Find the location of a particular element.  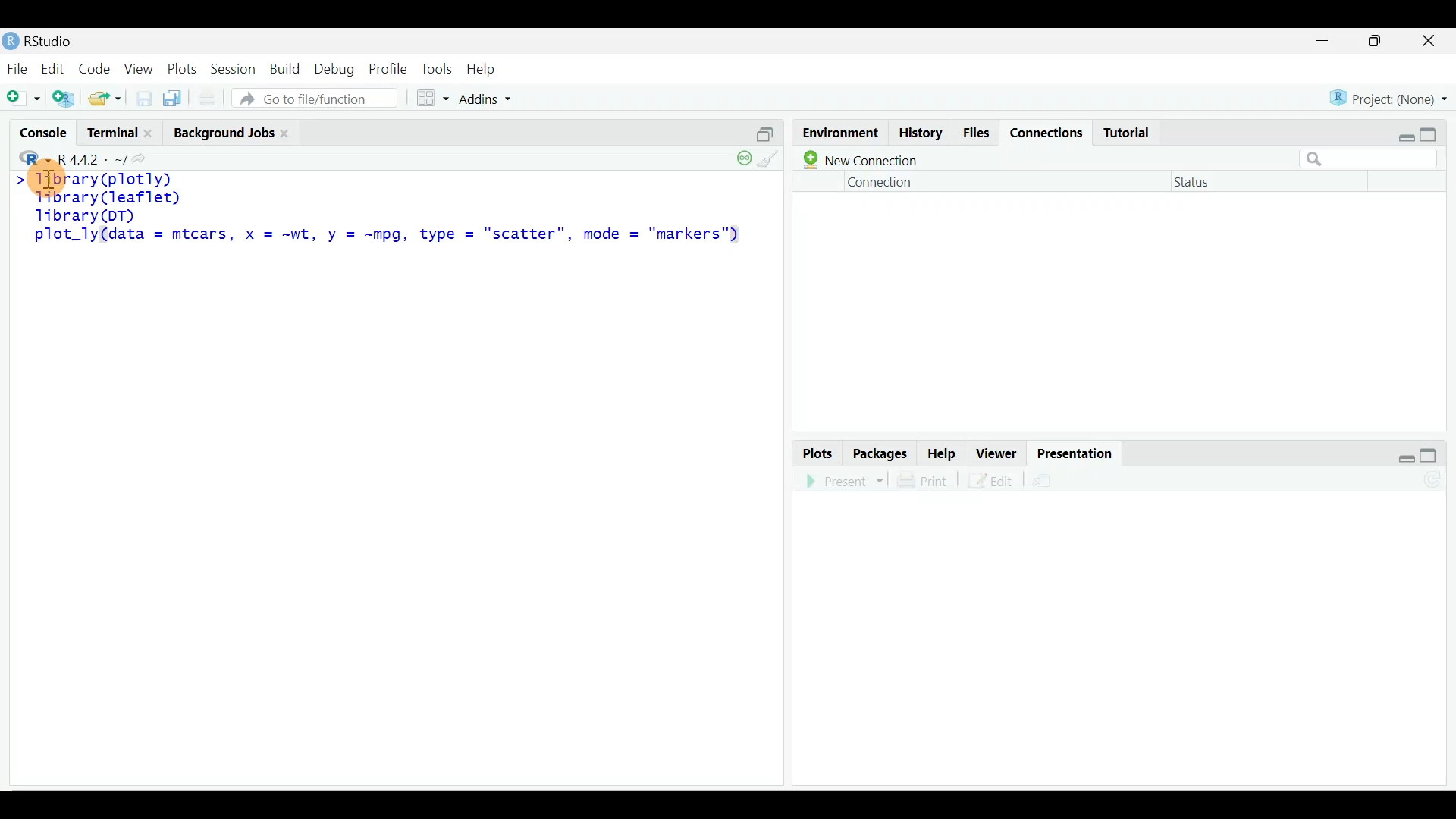

Print current file is located at coordinates (206, 99).